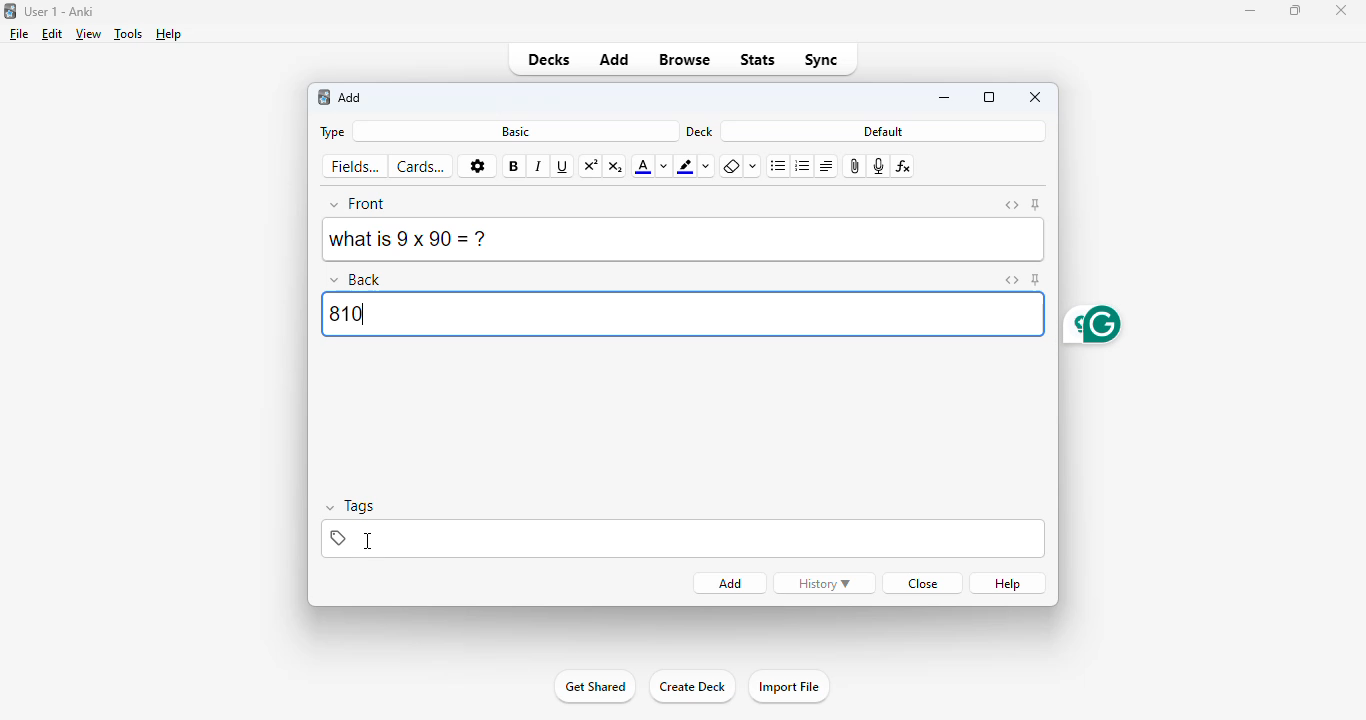 This screenshot has height=720, width=1366. What do you see at coordinates (1341, 10) in the screenshot?
I see `close` at bounding box center [1341, 10].